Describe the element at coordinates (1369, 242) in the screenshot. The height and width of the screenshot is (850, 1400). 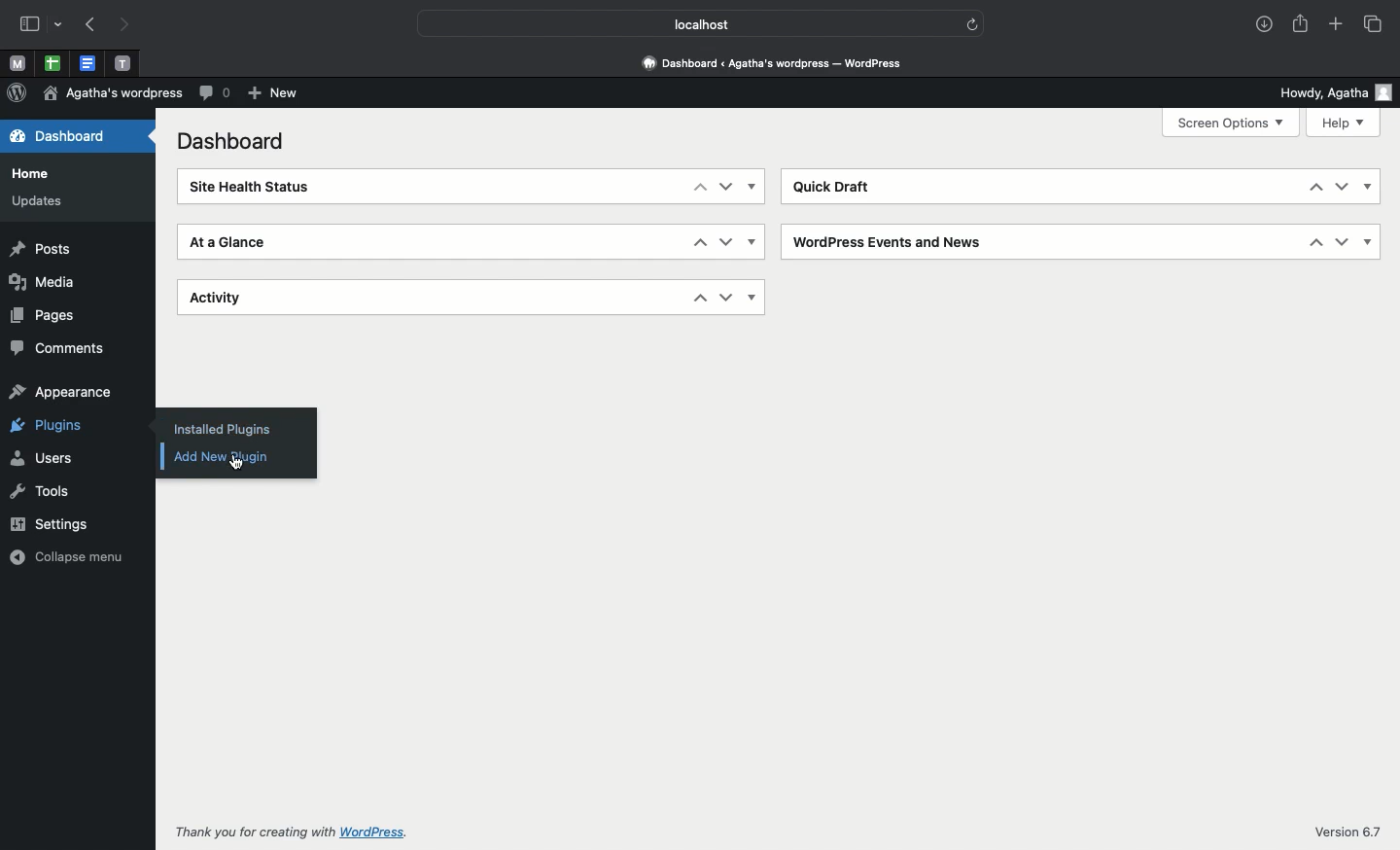
I see `Show` at that location.